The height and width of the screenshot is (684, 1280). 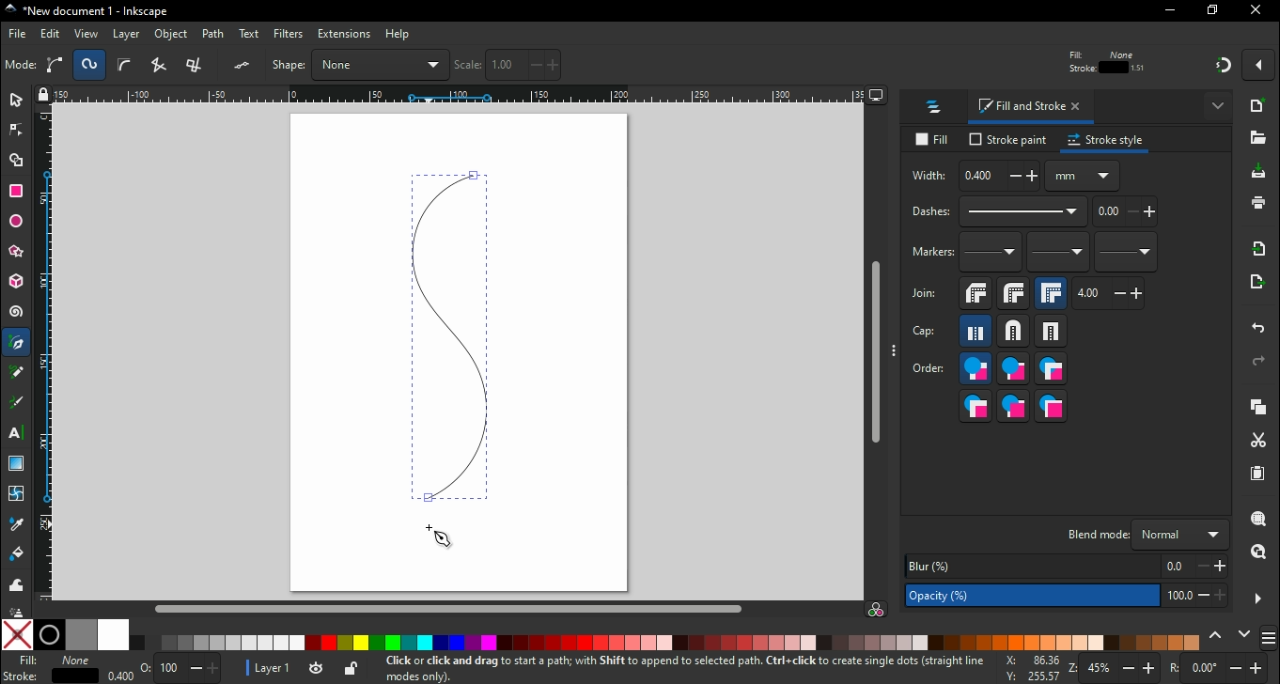 What do you see at coordinates (16, 135) in the screenshot?
I see `node tool` at bounding box center [16, 135].